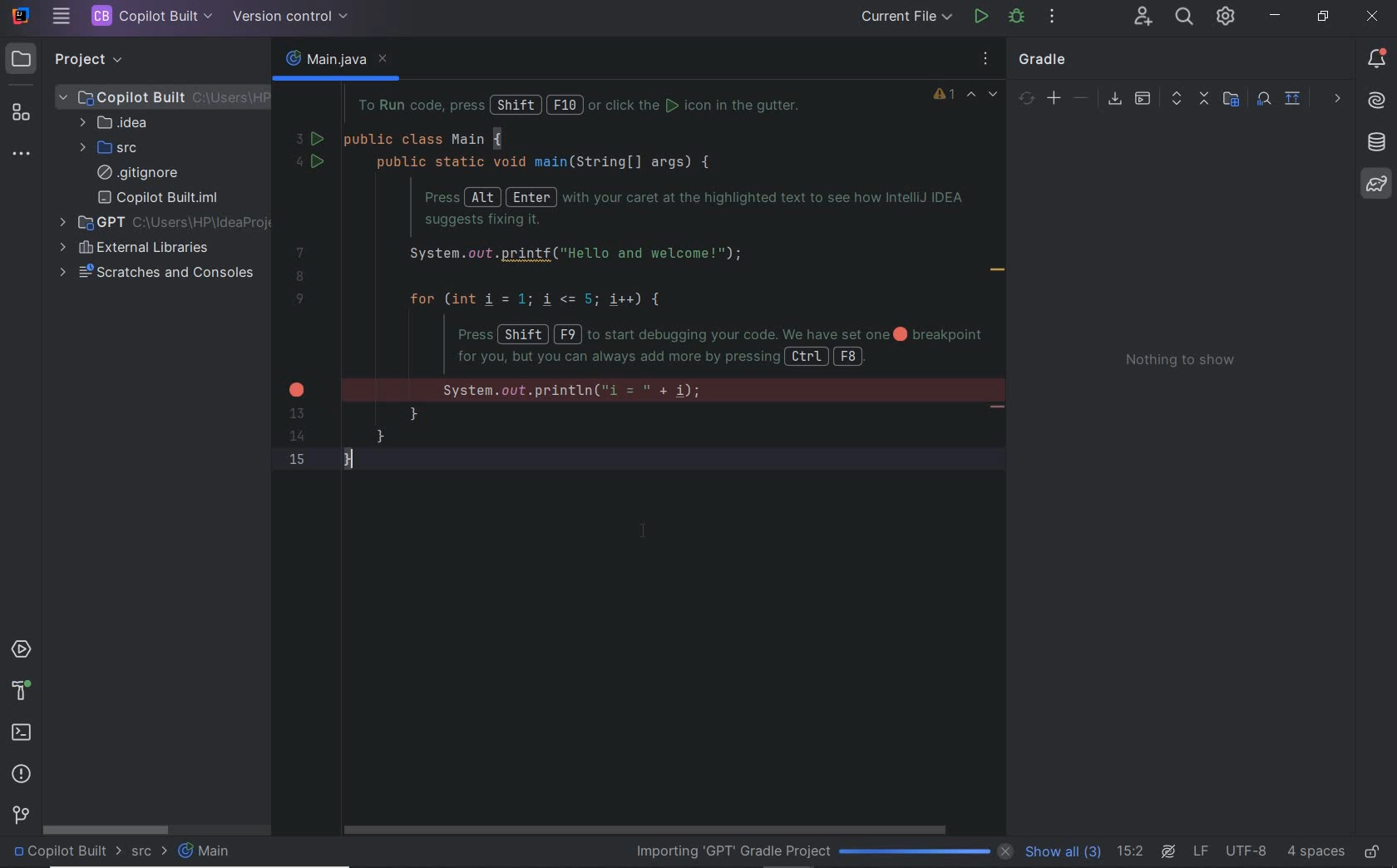 This screenshot has width=1397, height=868. Describe the element at coordinates (1373, 851) in the screenshot. I see `make file ready only` at that location.